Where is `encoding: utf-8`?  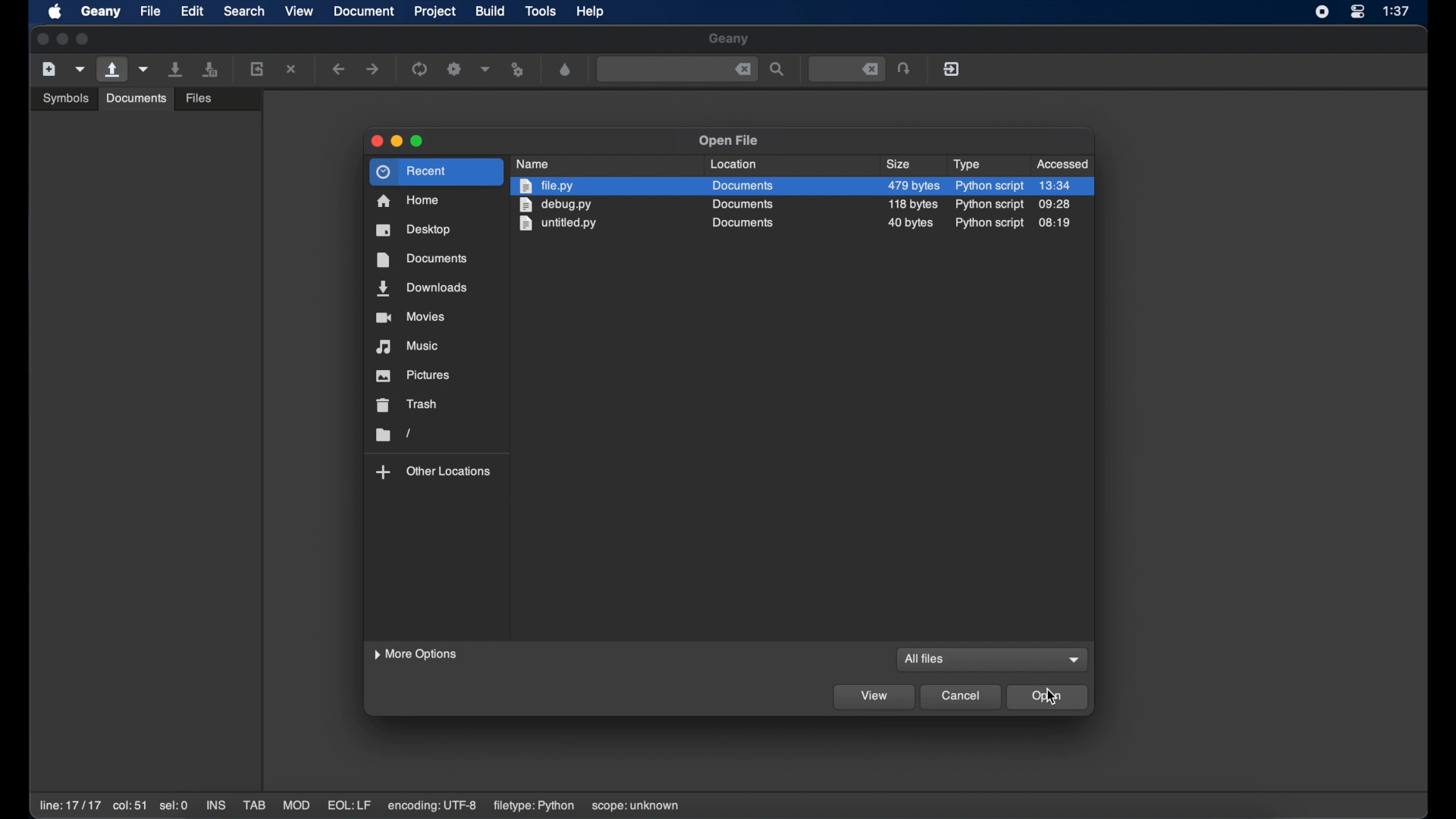
encoding: utf-8 is located at coordinates (432, 806).